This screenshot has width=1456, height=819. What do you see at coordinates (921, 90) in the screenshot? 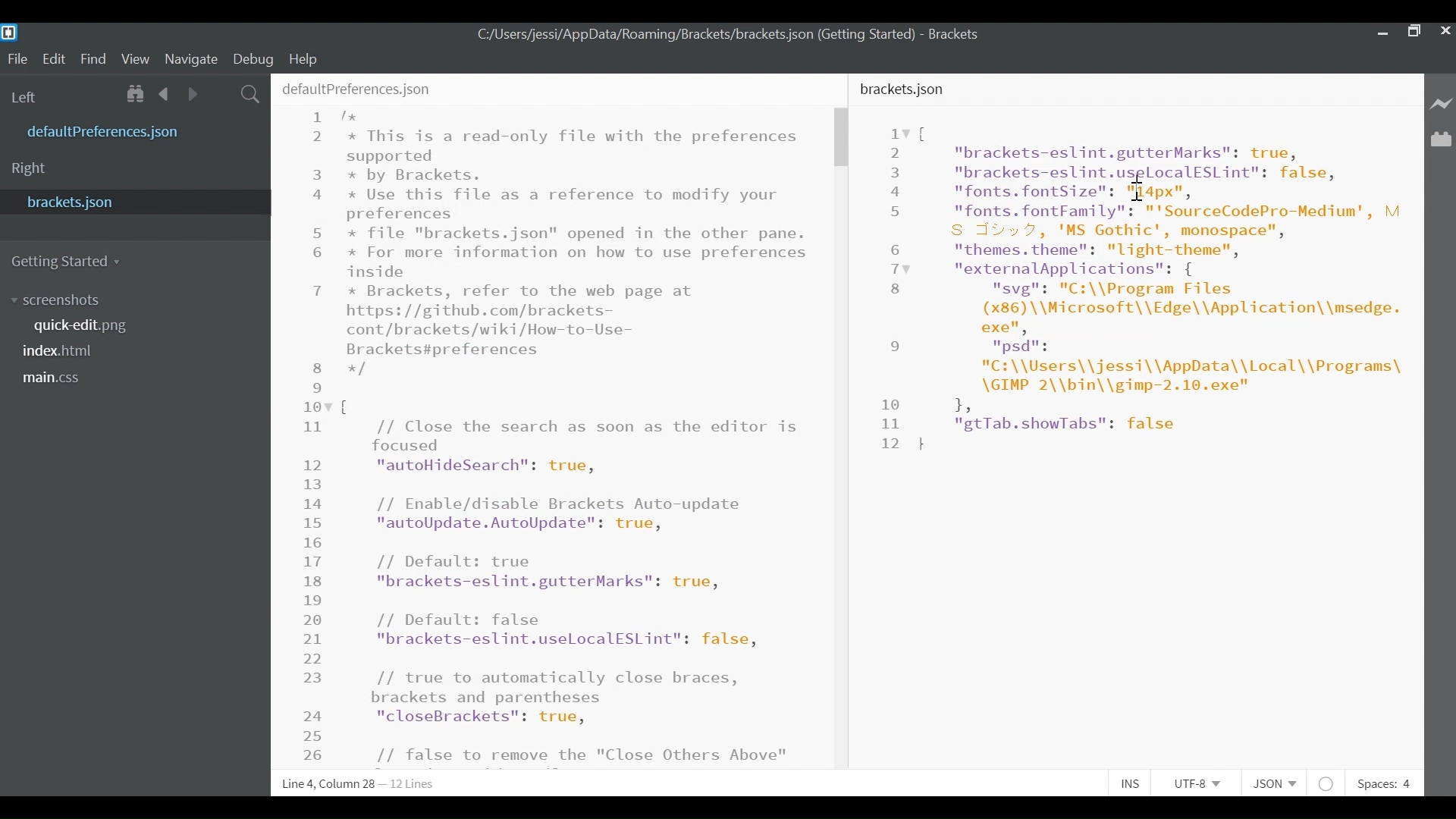
I see `brackets.json ` at bounding box center [921, 90].